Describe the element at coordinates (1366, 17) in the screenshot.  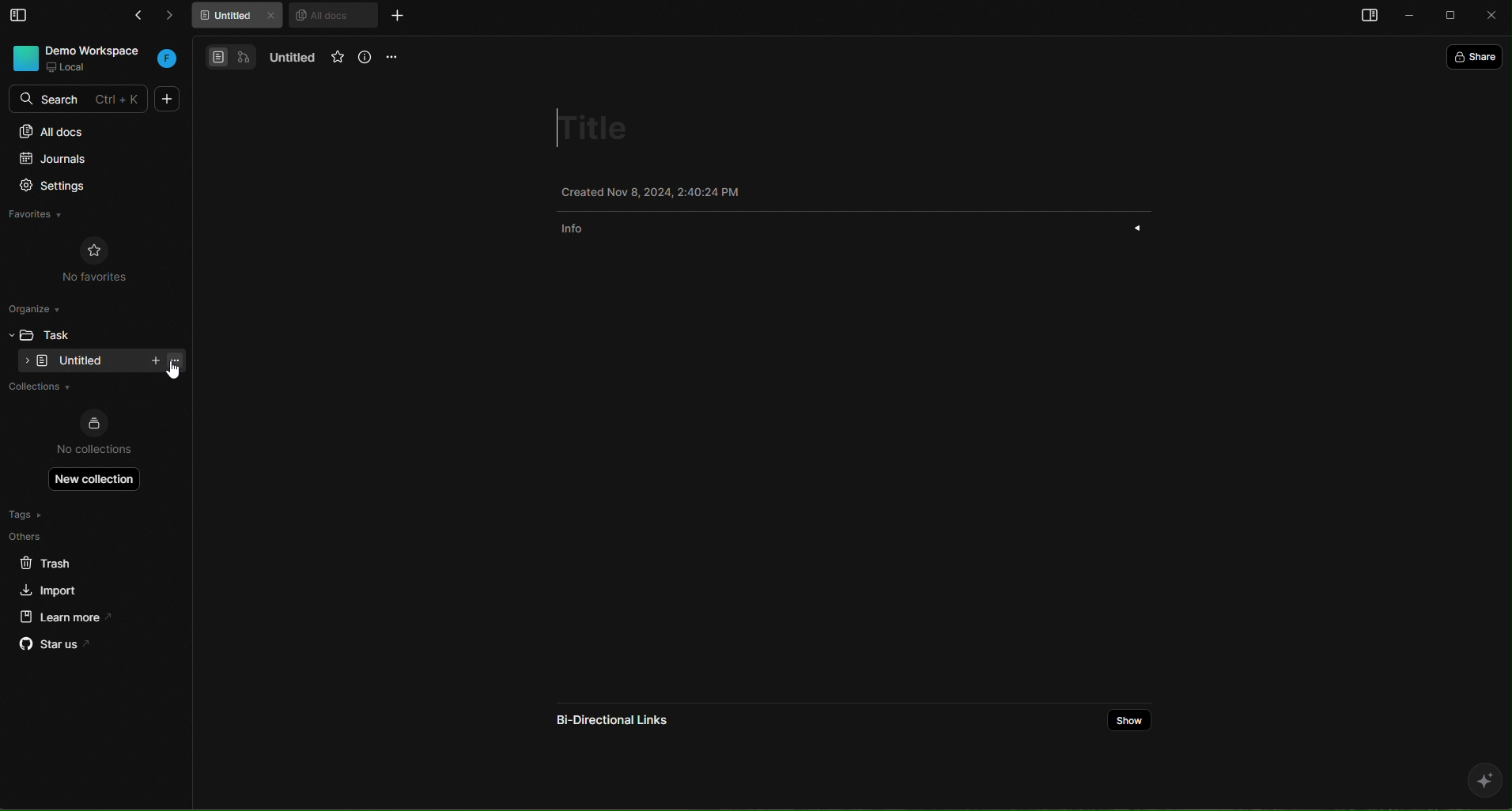
I see `open sidebar` at that location.